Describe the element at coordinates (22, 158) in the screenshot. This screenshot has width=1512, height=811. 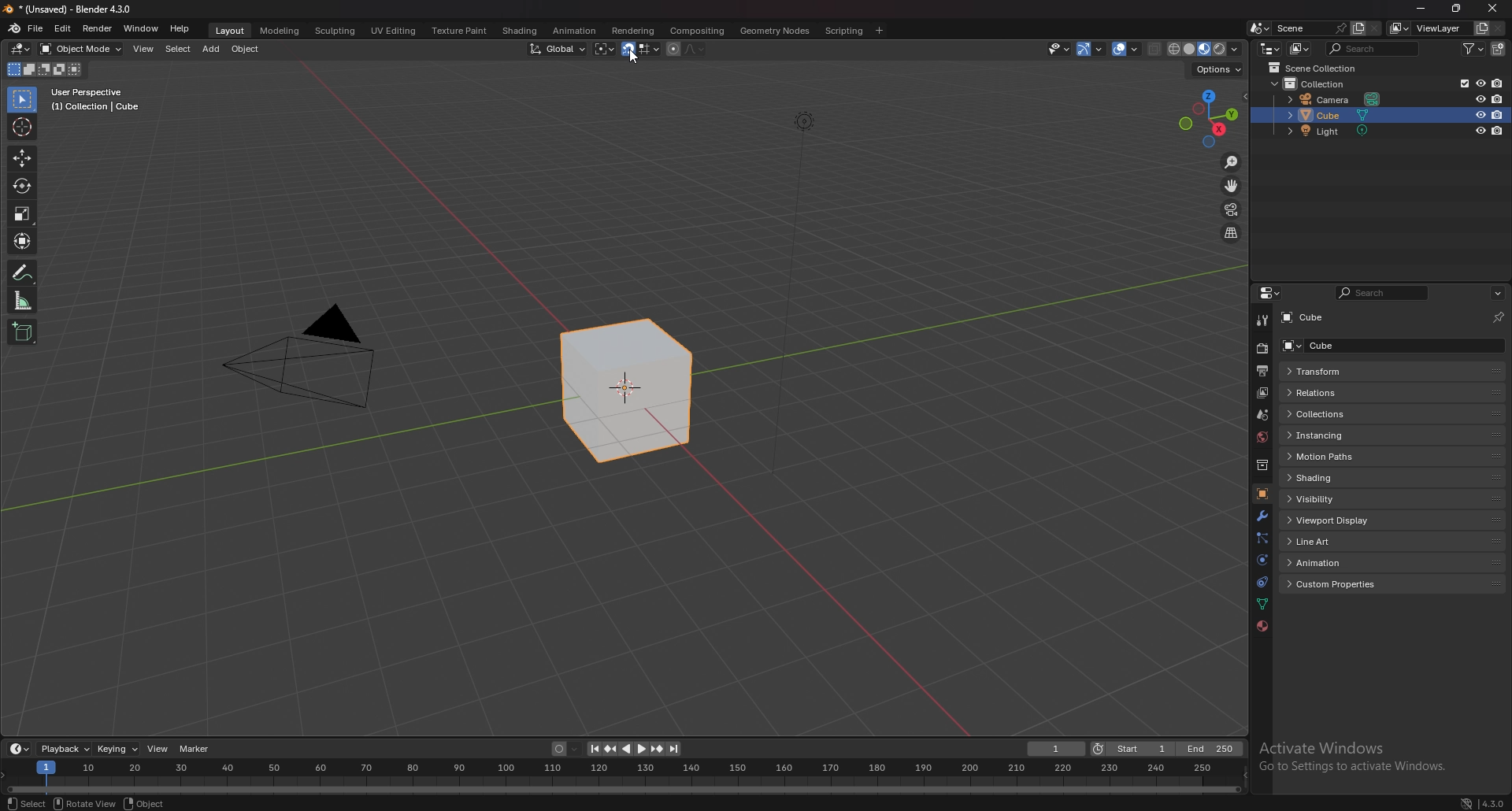
I see `move` at that location.